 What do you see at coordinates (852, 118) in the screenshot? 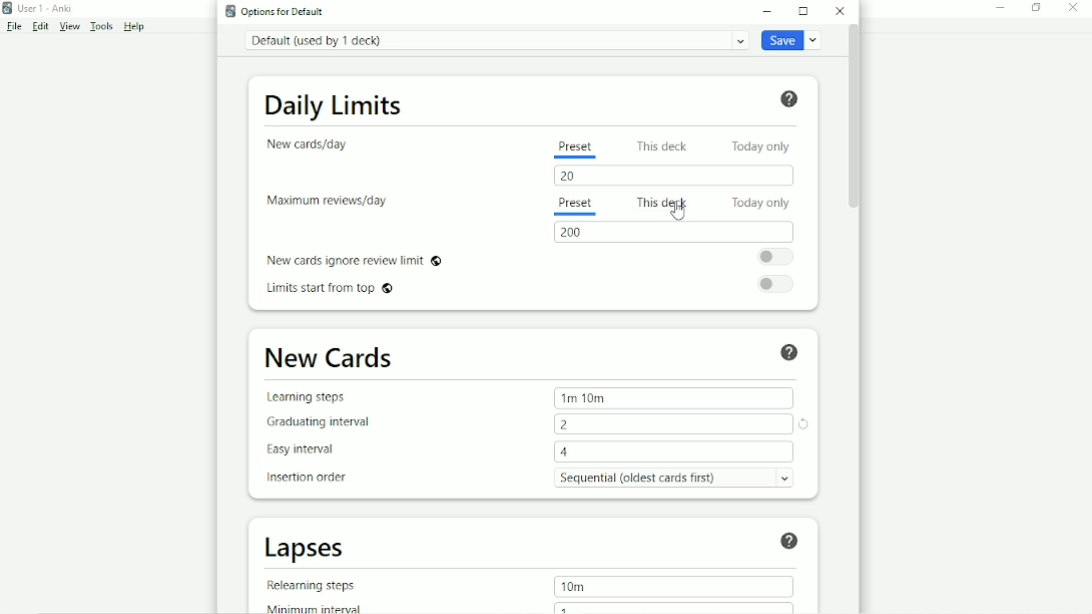
I see `Vertical scrollbar` at bounding box center [852, 118].